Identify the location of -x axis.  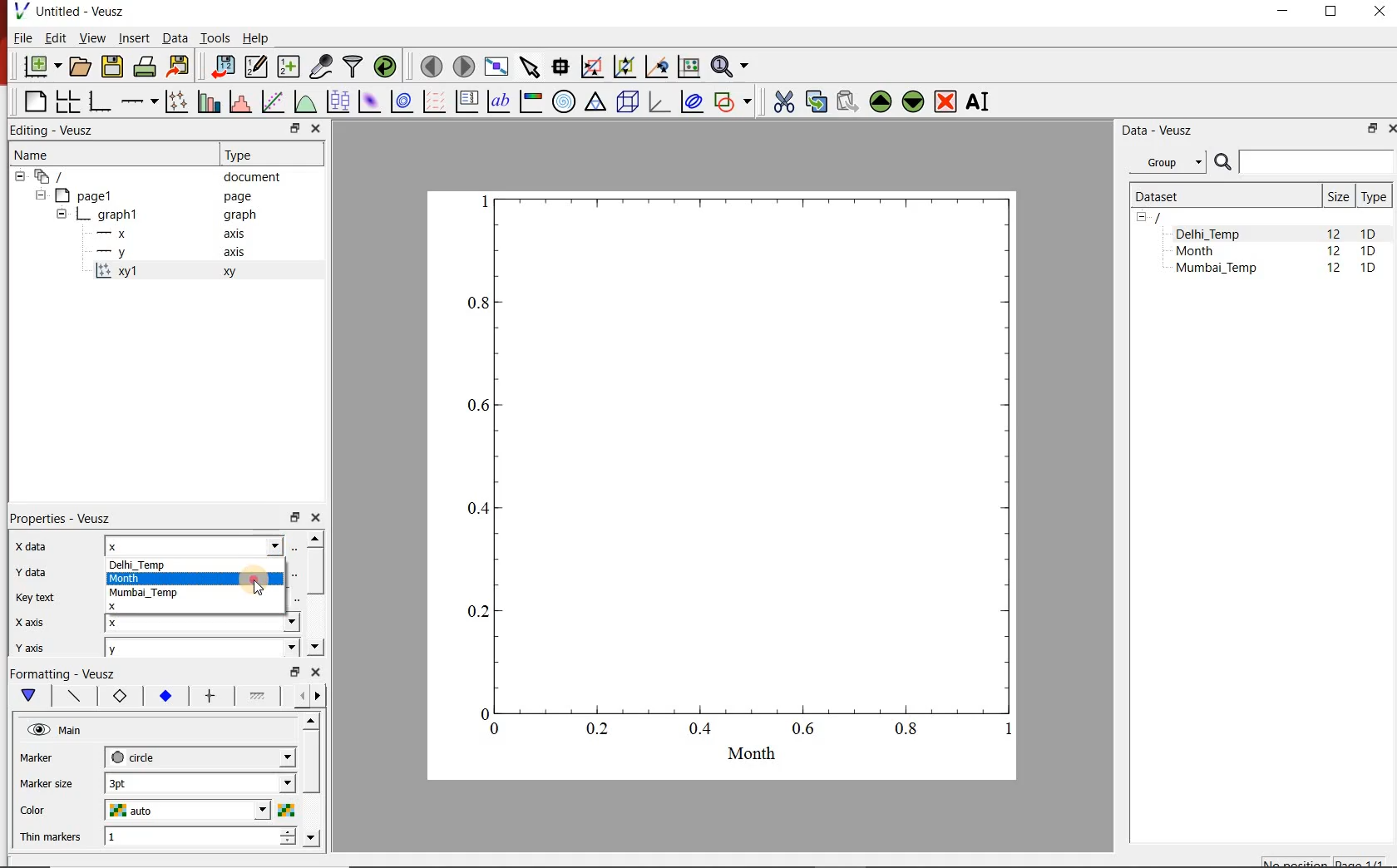
(164, 234).